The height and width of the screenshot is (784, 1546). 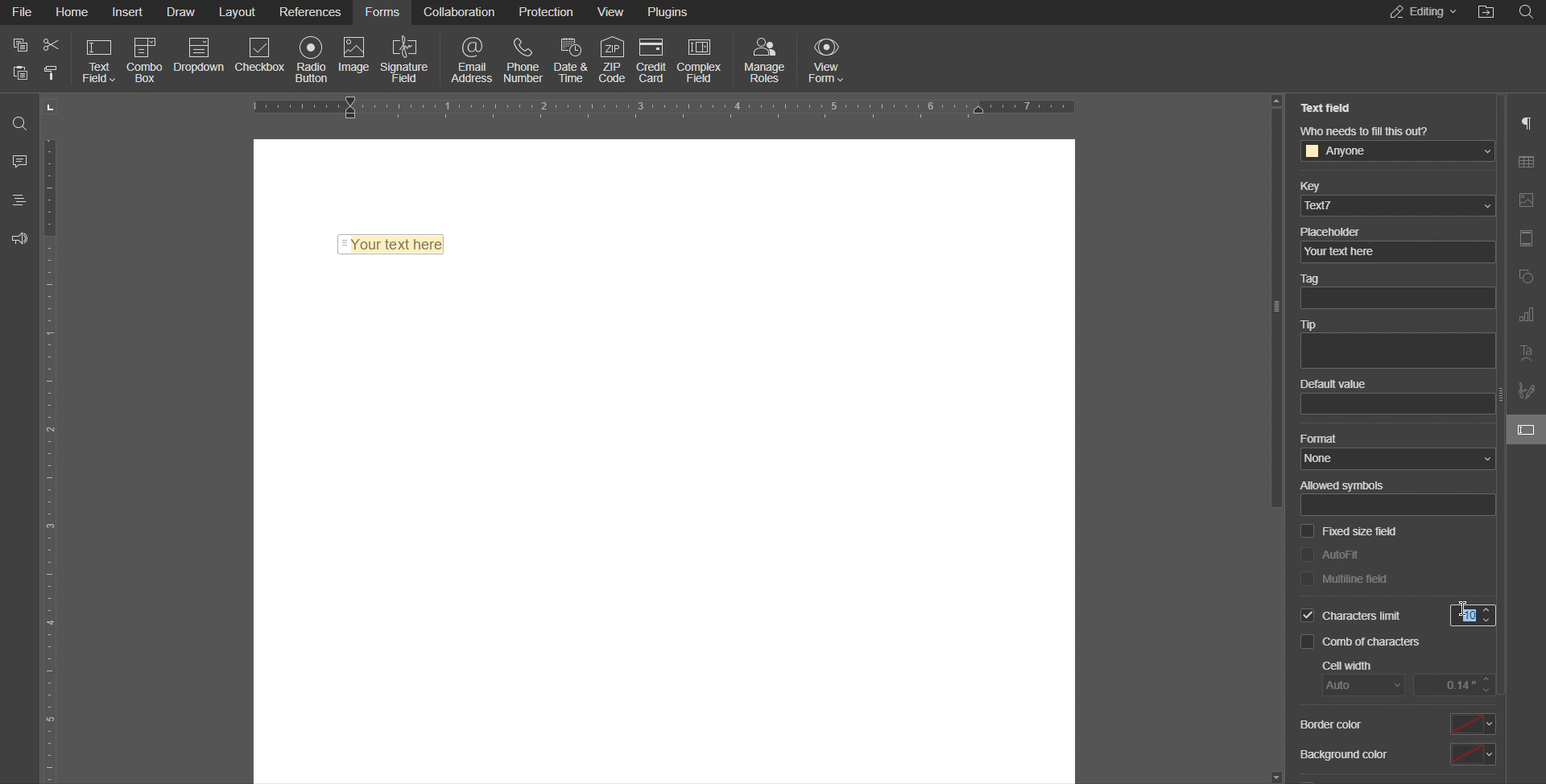 I want to click on Horizontal Ruler, so click(x=668, y=105).